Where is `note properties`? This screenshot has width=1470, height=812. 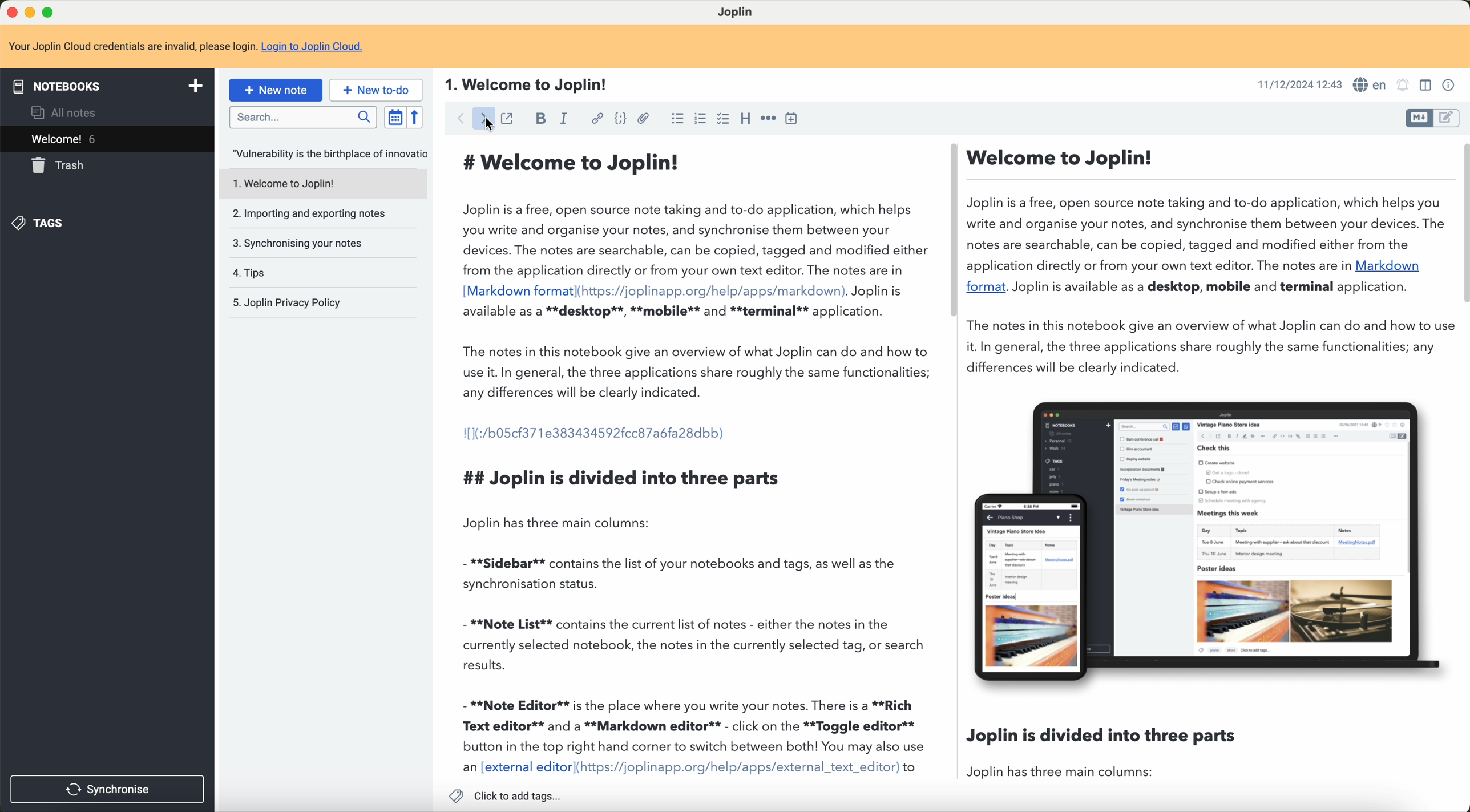 note properties is located at coordinates (1449, 85).